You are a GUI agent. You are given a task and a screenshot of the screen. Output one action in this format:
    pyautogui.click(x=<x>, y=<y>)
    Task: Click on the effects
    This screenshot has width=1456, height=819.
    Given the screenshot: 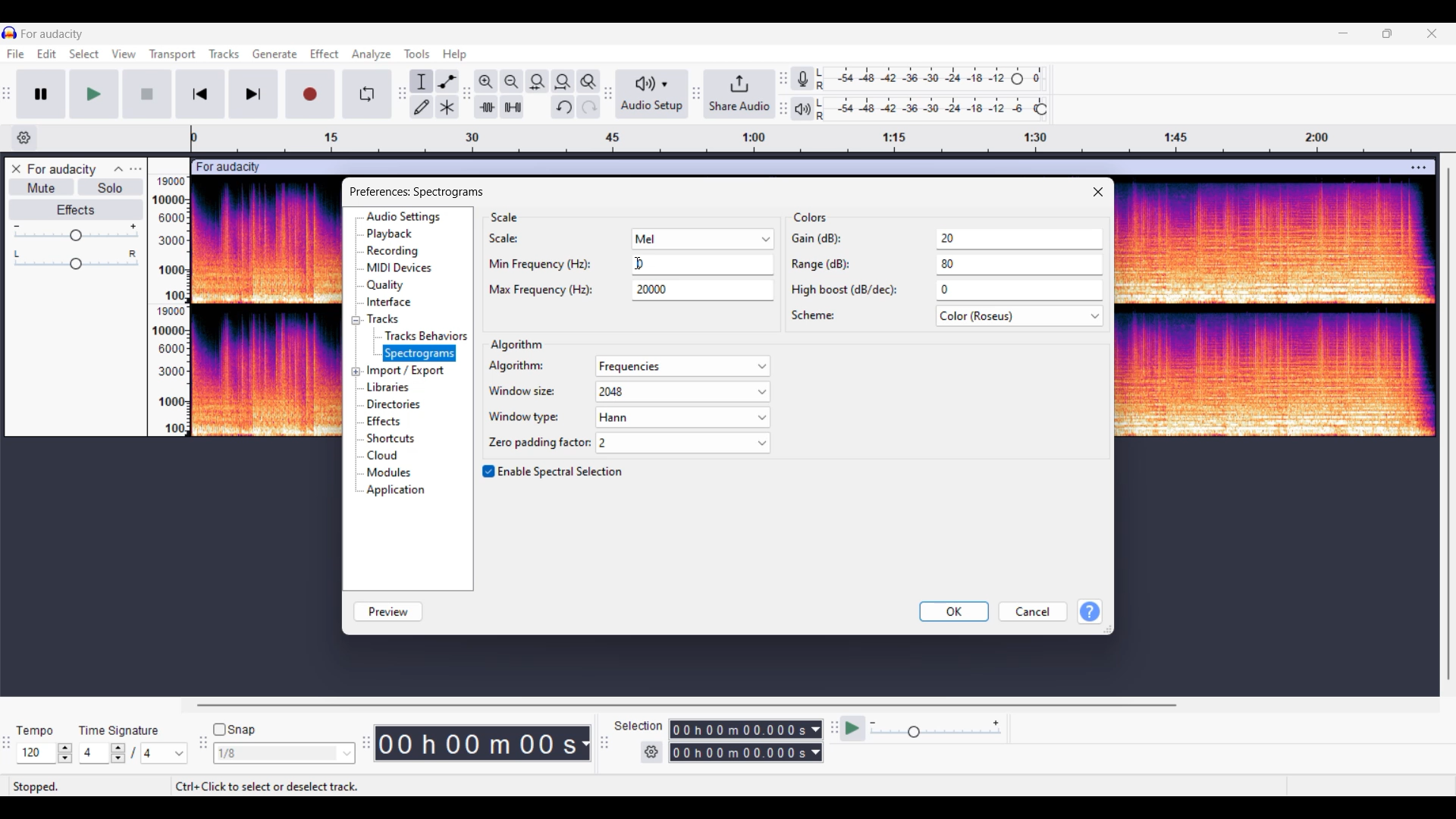 What is the action you would take?
    pyautogui.click(x=393, y=422)
    